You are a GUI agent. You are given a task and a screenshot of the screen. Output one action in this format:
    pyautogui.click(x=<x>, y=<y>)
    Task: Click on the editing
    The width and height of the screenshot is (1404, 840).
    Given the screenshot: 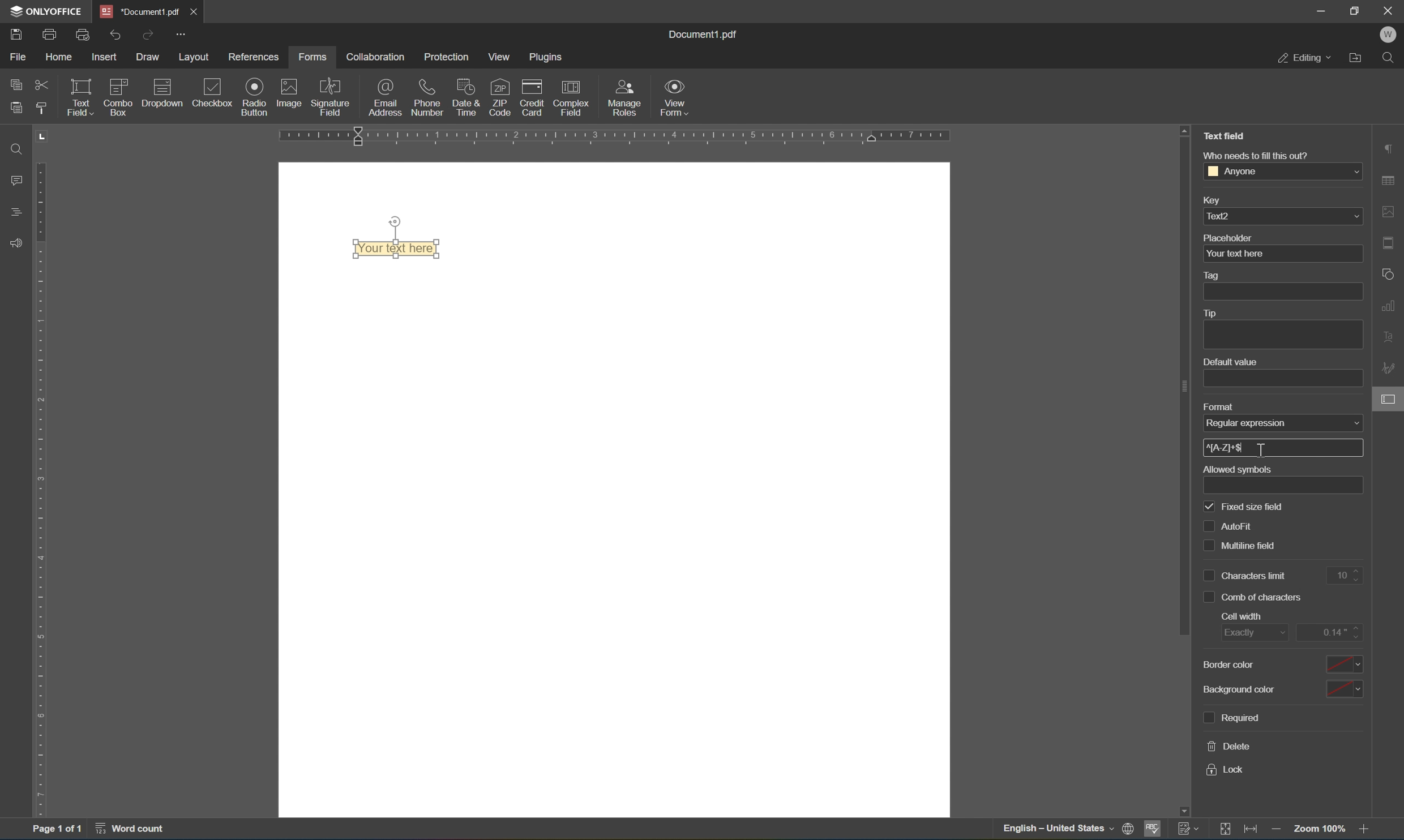 What is the action you would take?
    pyautogui.click(x=1302, y=58)
    